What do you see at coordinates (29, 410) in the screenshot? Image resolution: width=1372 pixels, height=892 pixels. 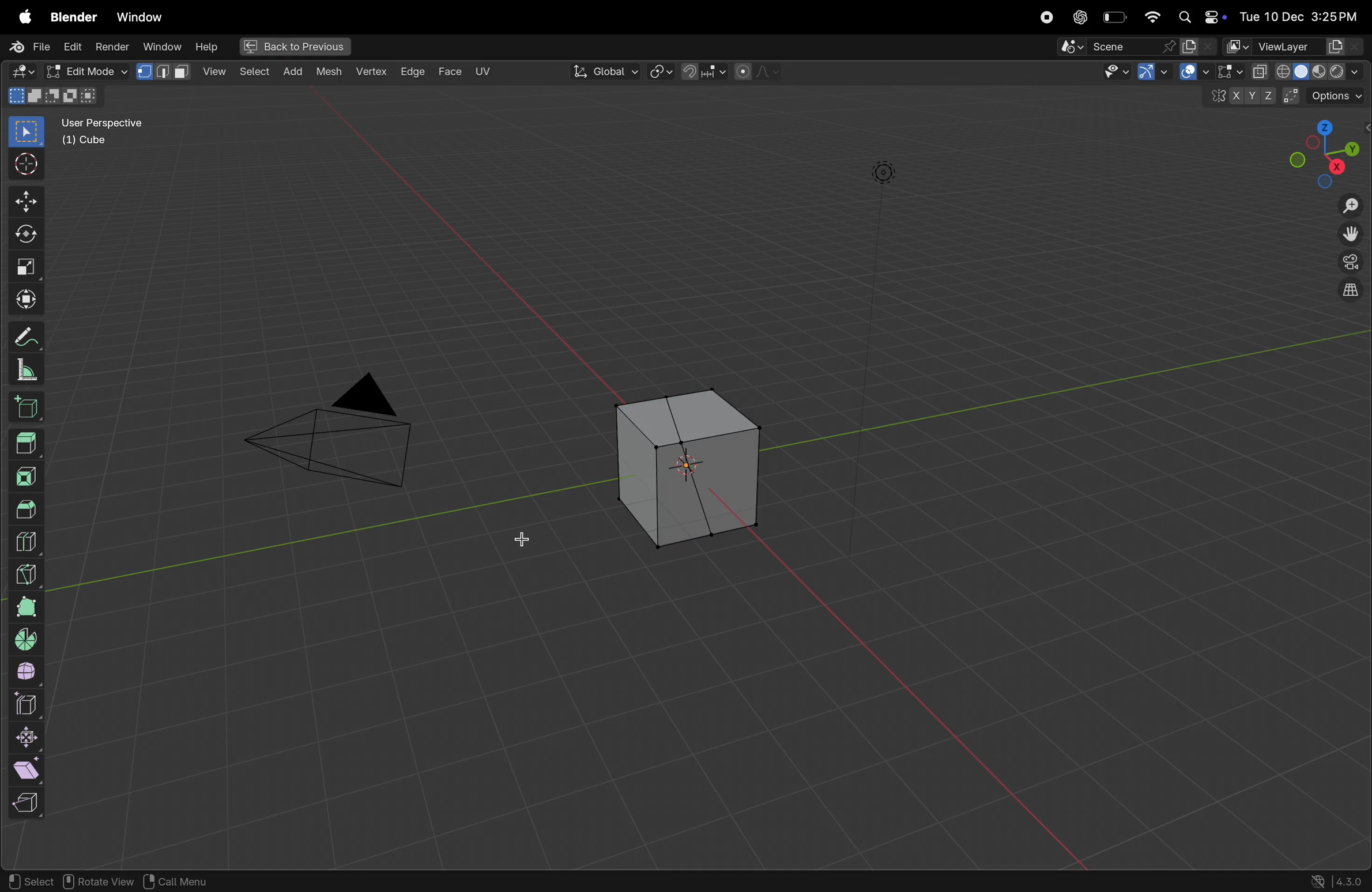 I see `3d cube` at bounding box center [29, 410].